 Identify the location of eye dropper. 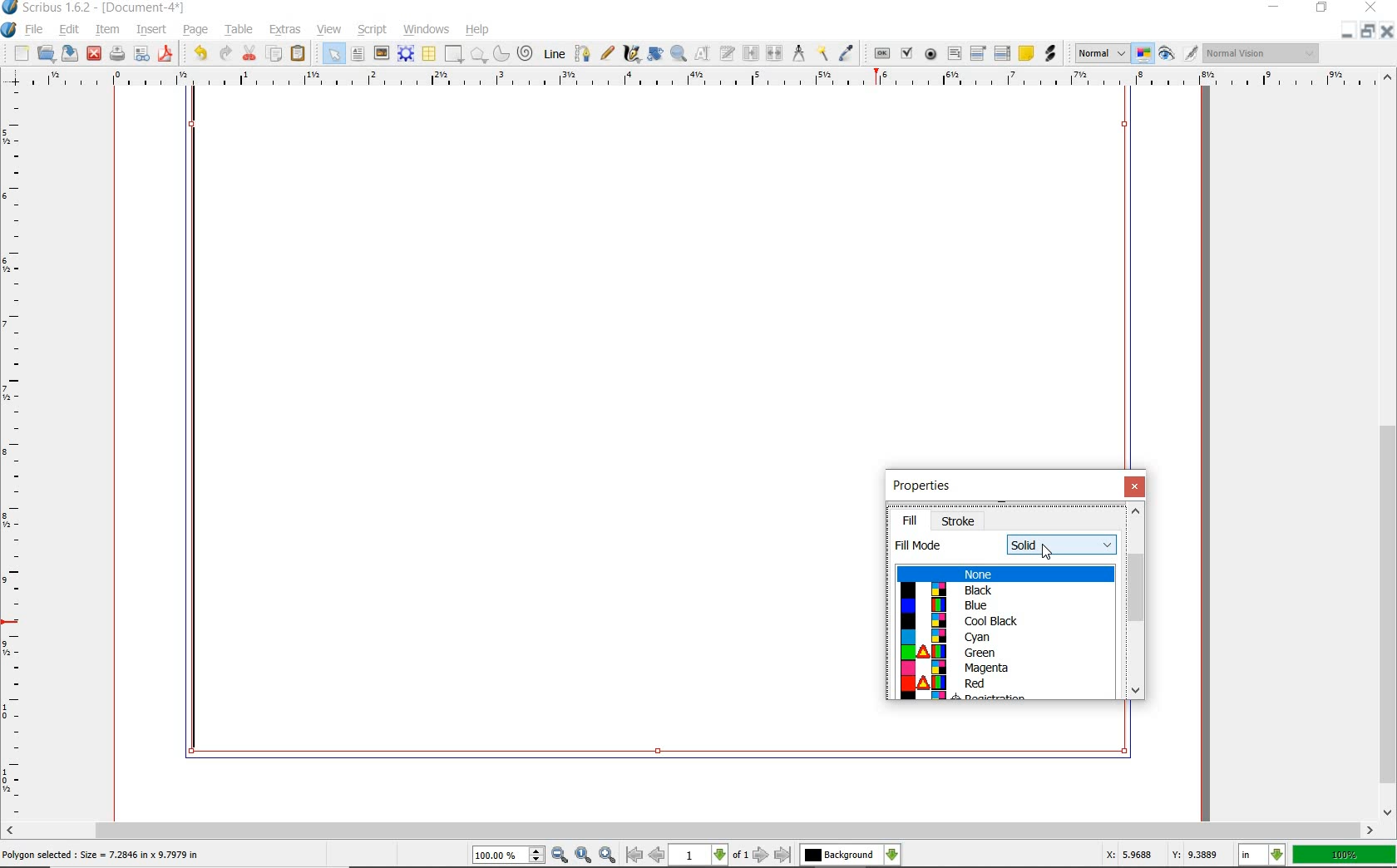
(847, 51).